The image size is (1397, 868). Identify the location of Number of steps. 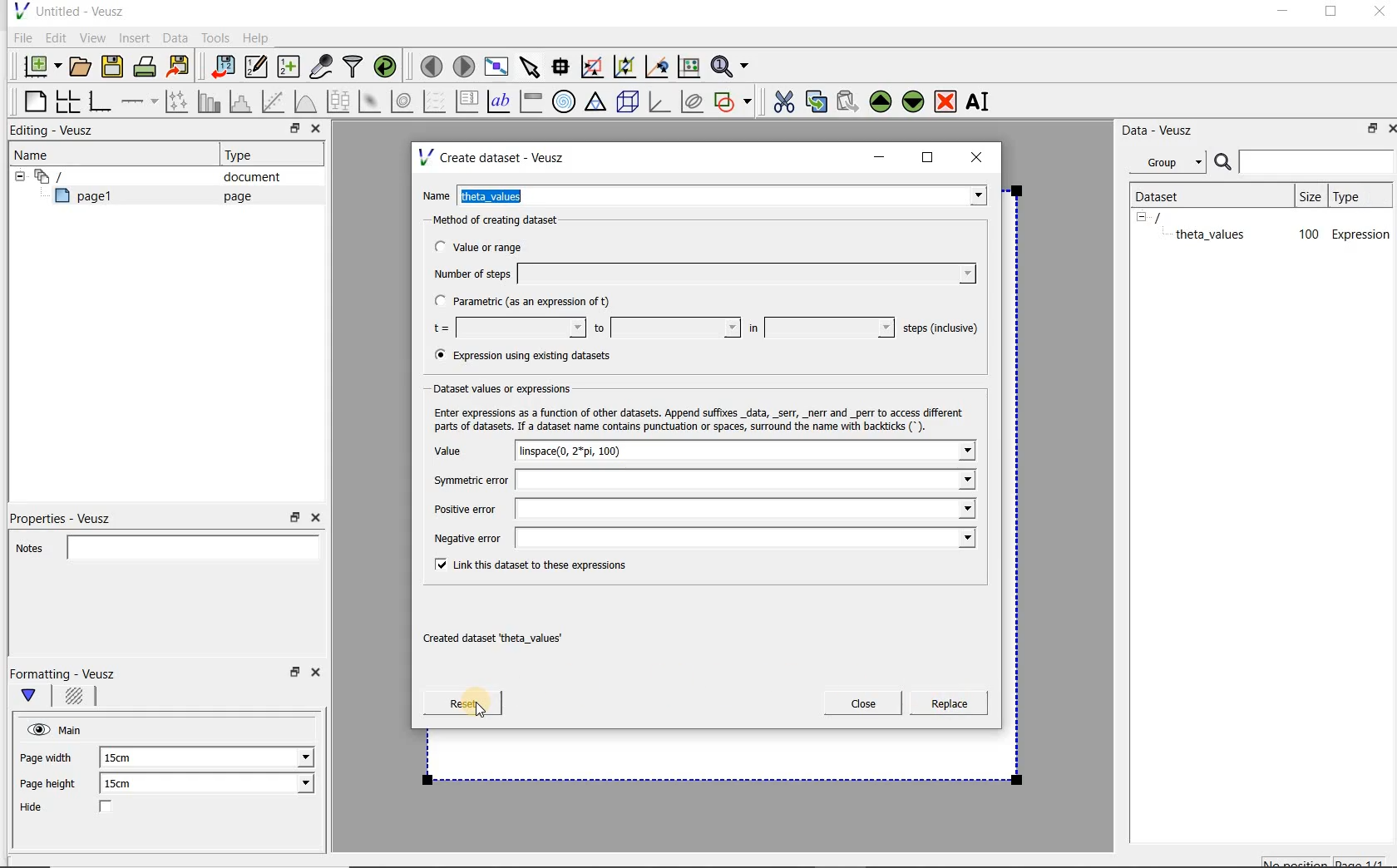
(699, 274).